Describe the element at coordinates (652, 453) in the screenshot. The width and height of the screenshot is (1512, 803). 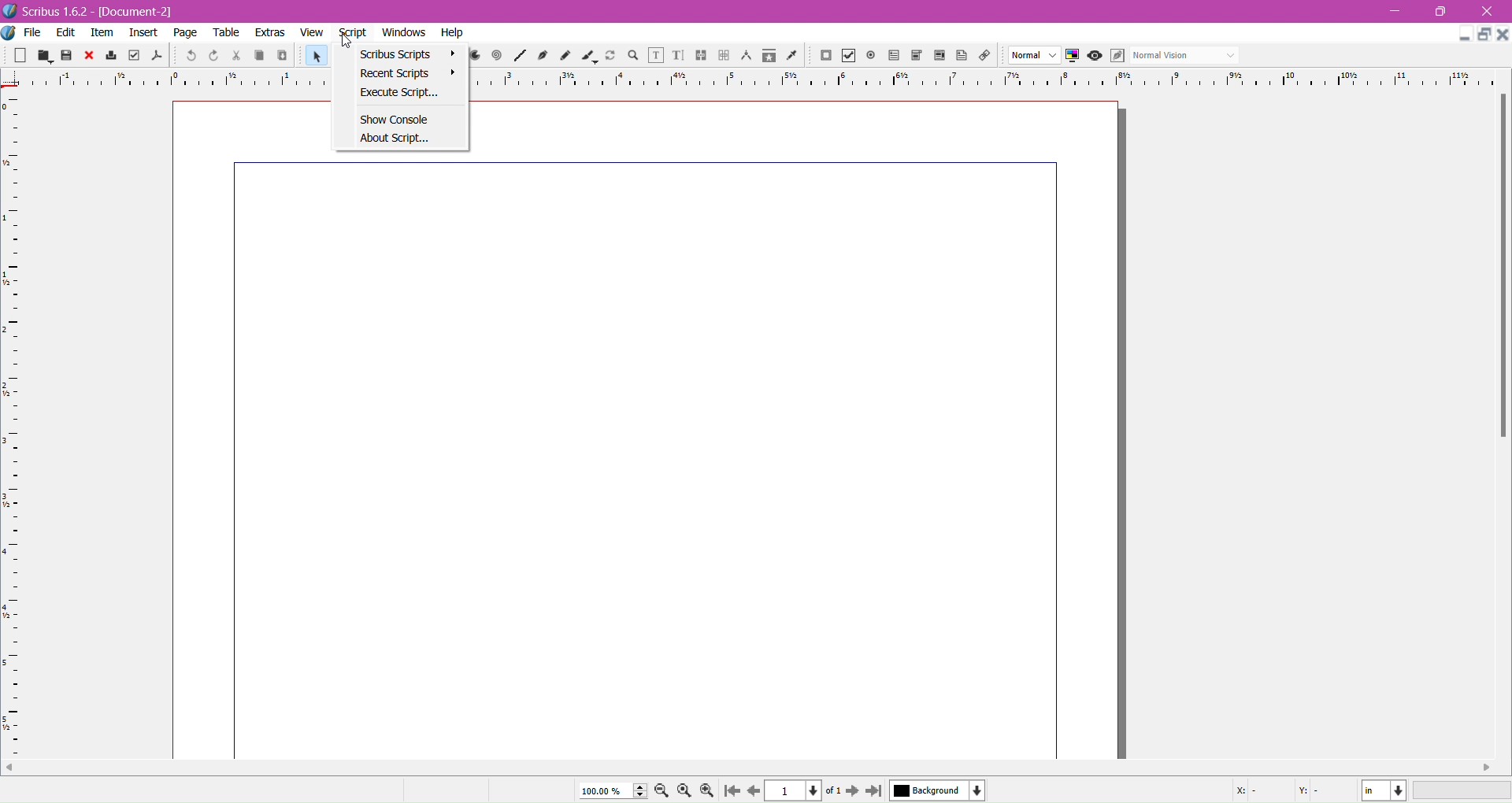
I see `Current page` at that location.